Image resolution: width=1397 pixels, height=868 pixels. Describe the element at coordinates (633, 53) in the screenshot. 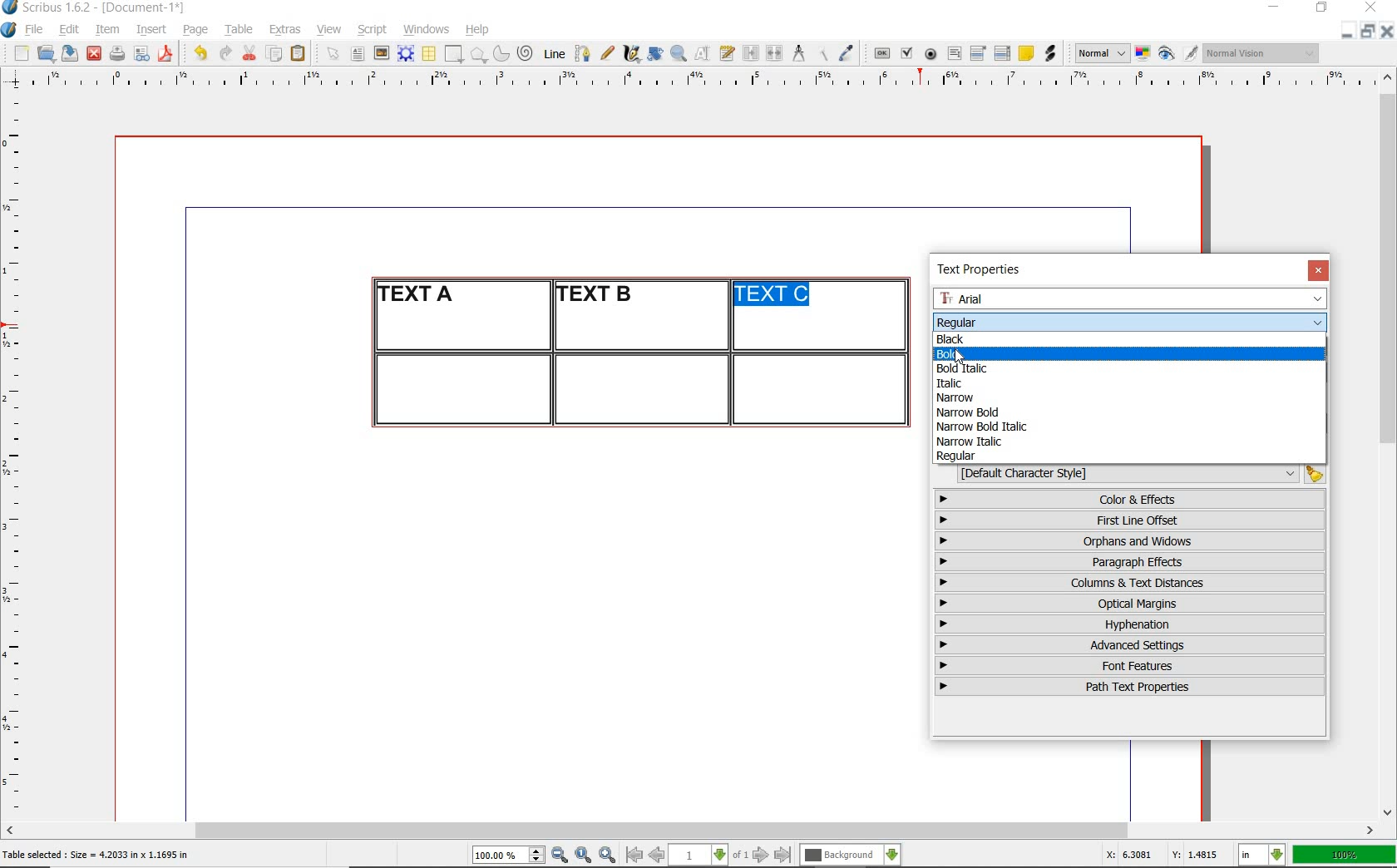

I see `calligraphic line` at that location.